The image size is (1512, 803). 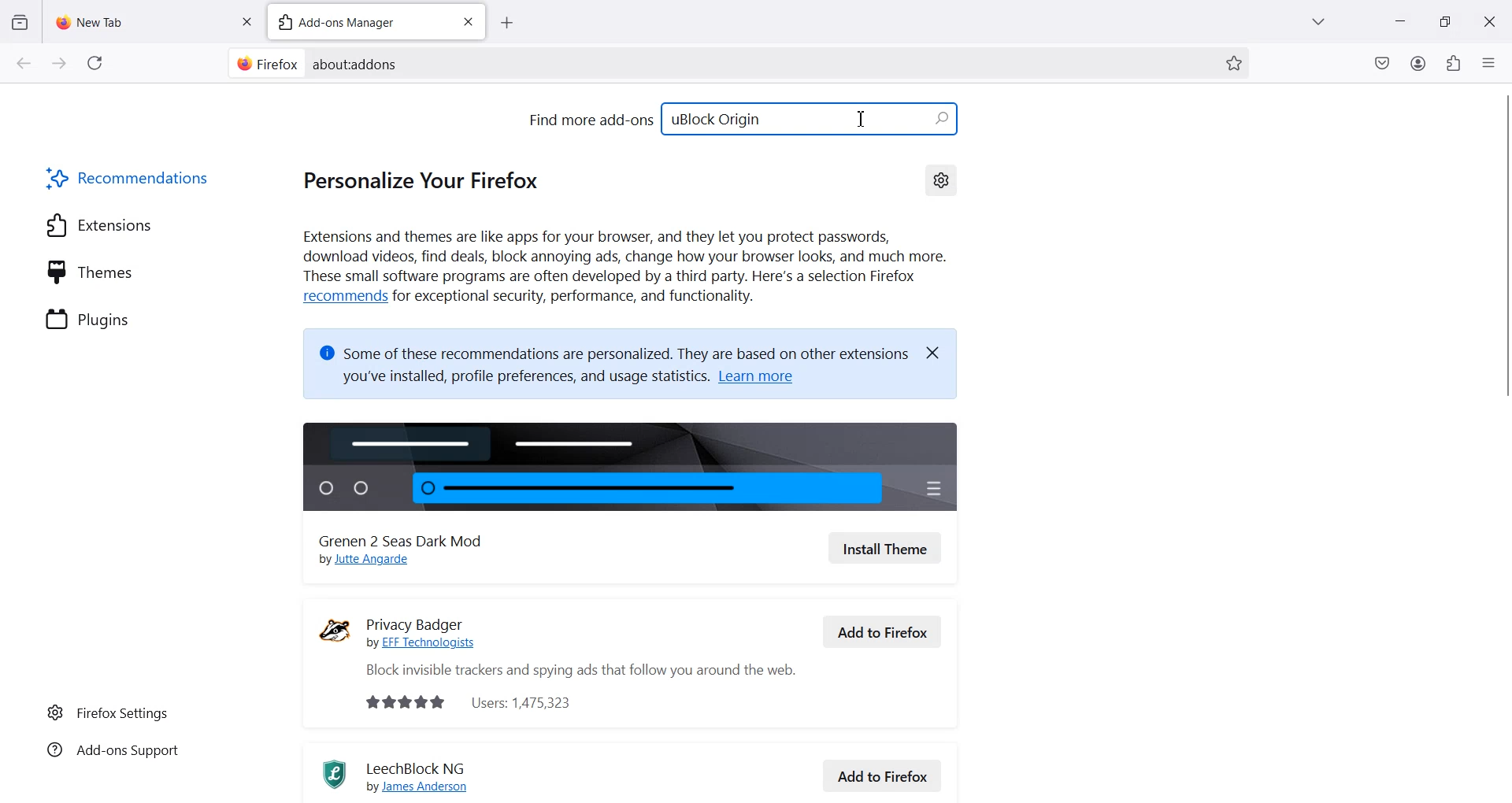 I want to click on by James Anderson, so click(x=426, y=787).